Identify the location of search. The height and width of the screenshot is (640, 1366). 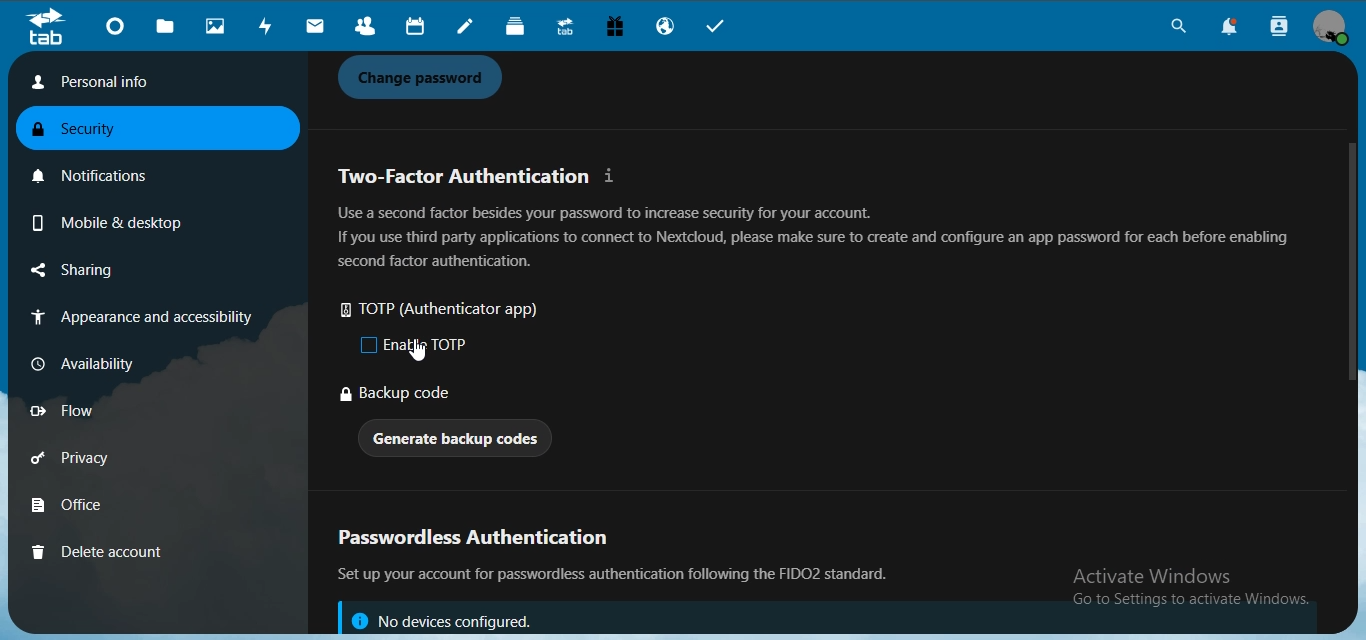
(1175, 29).